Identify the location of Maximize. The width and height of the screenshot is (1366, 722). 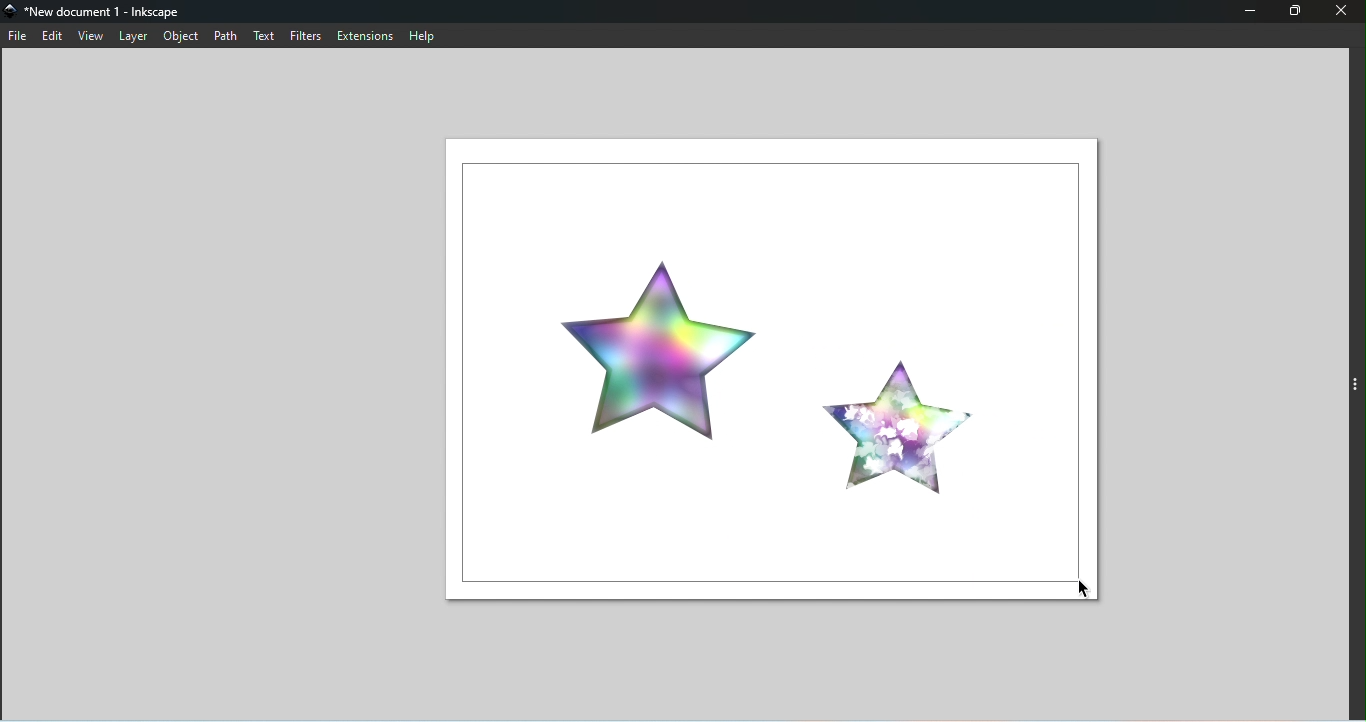
(1298, 13).